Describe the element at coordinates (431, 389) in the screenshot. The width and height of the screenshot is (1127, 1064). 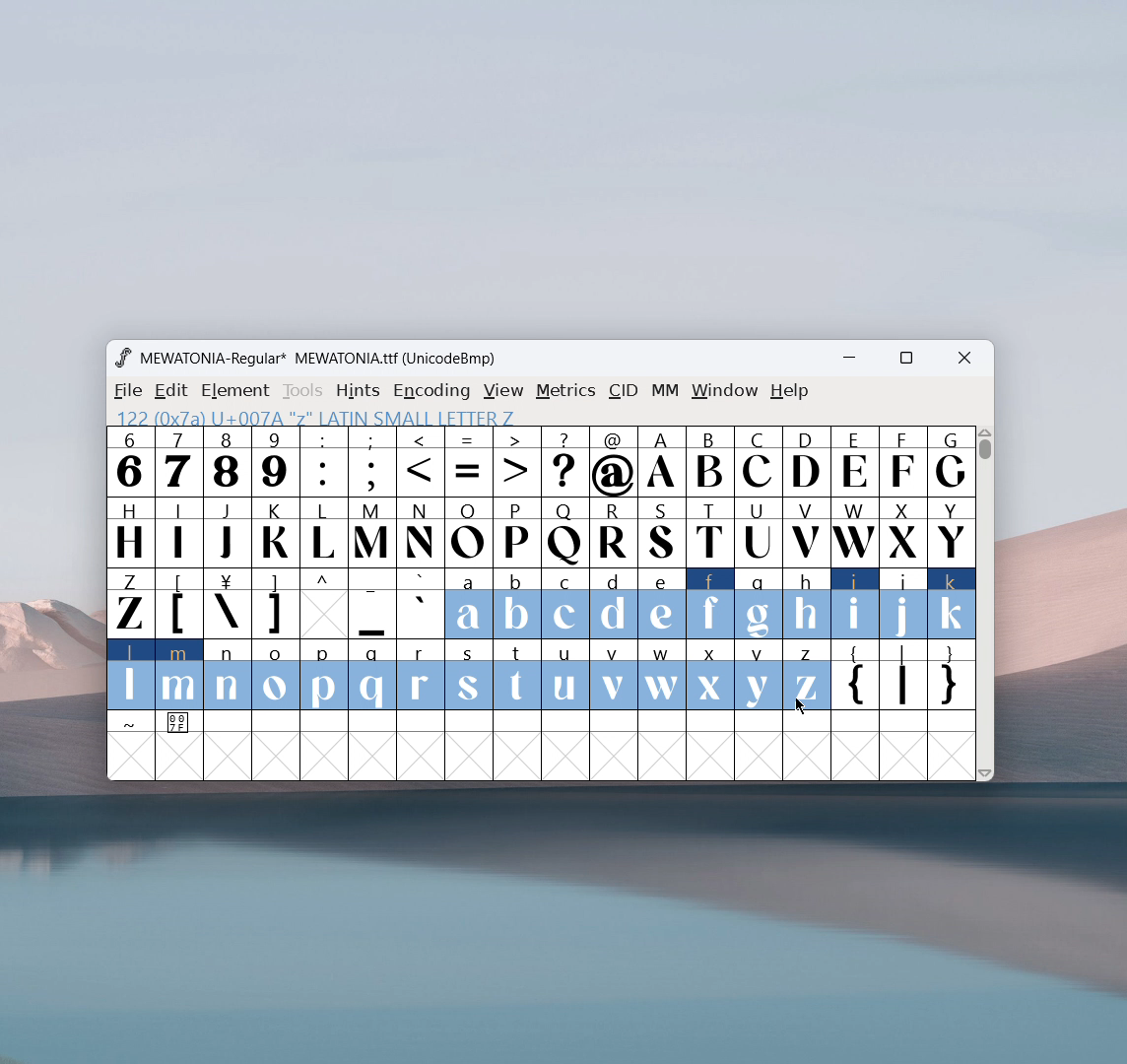
I see `encoding` at that location.